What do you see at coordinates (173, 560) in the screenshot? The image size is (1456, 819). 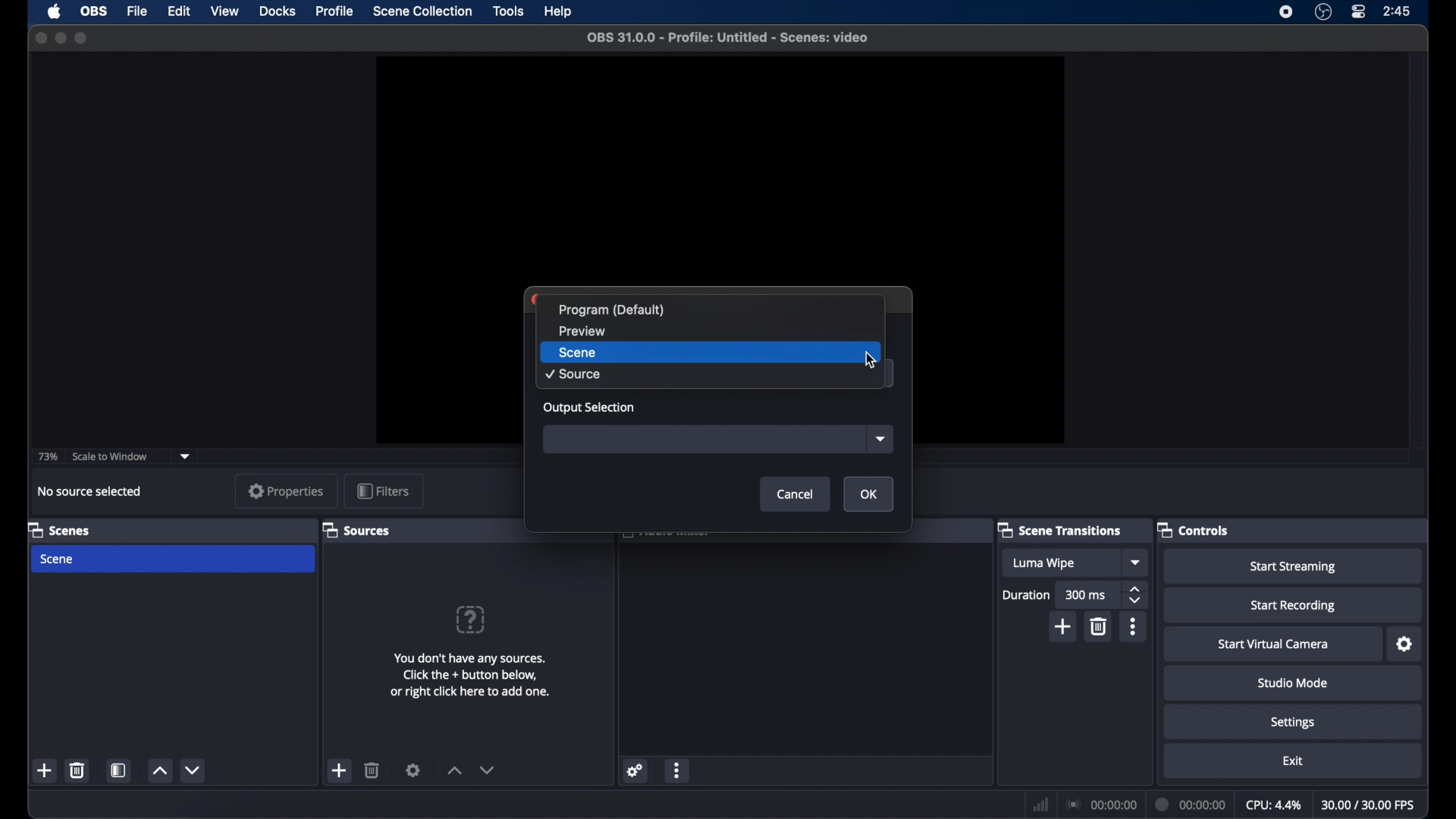 I see `scene` at bounding box center [173, 560].